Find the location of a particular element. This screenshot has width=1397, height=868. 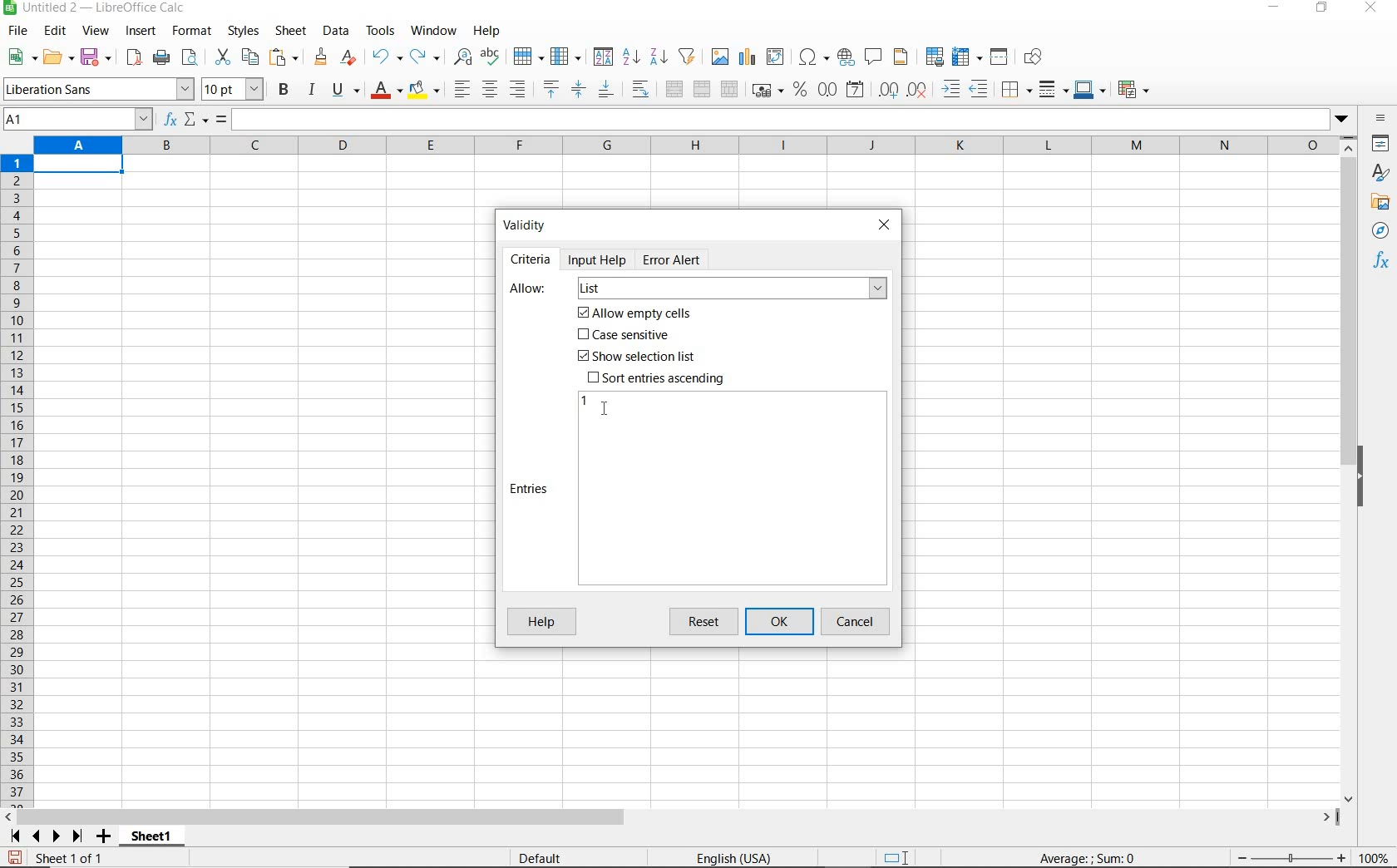

clear direct formatting is located at coordinates (350, 57).